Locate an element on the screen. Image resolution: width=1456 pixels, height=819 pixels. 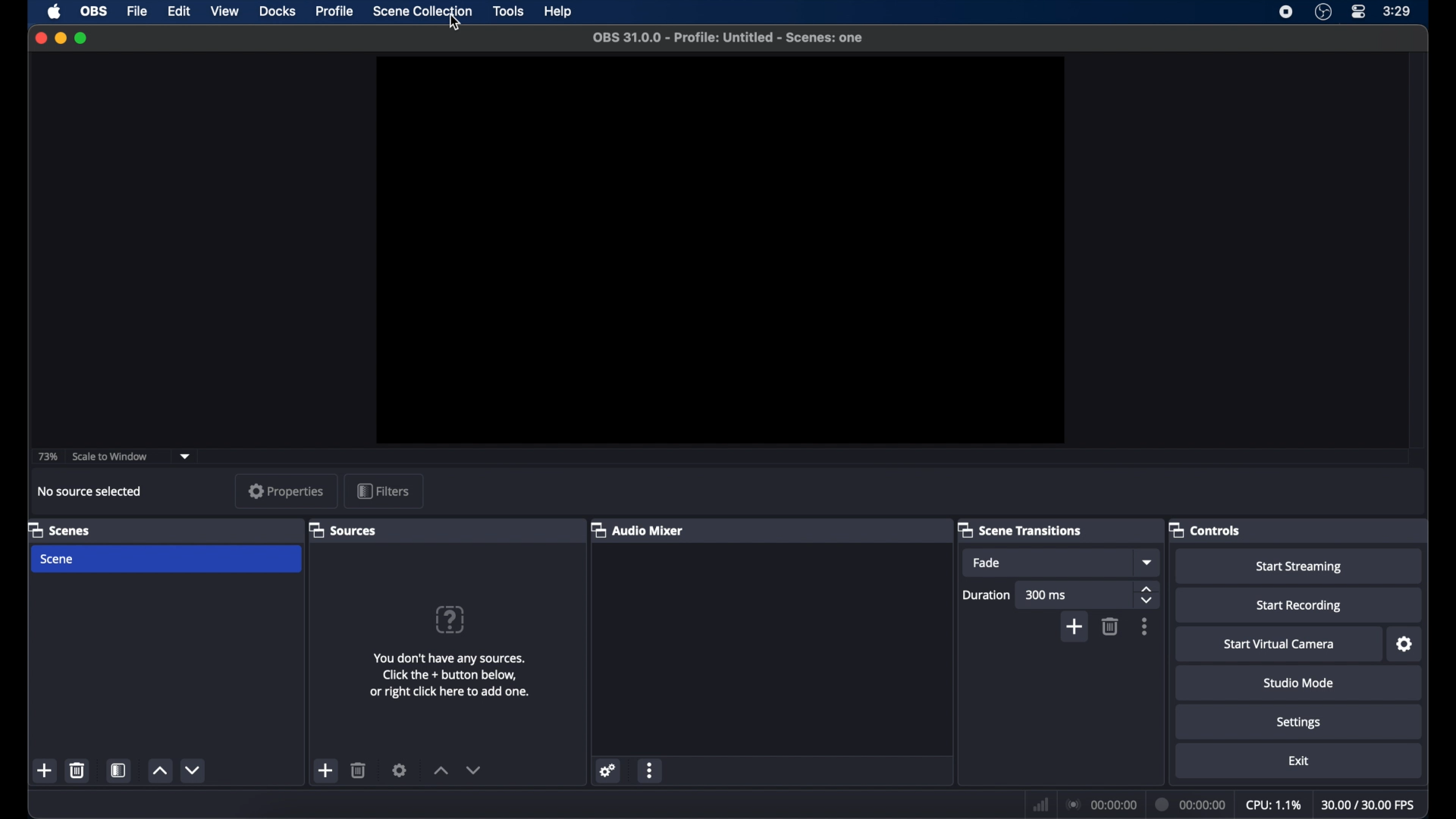
no source selected is located at coordinates (95, 491).